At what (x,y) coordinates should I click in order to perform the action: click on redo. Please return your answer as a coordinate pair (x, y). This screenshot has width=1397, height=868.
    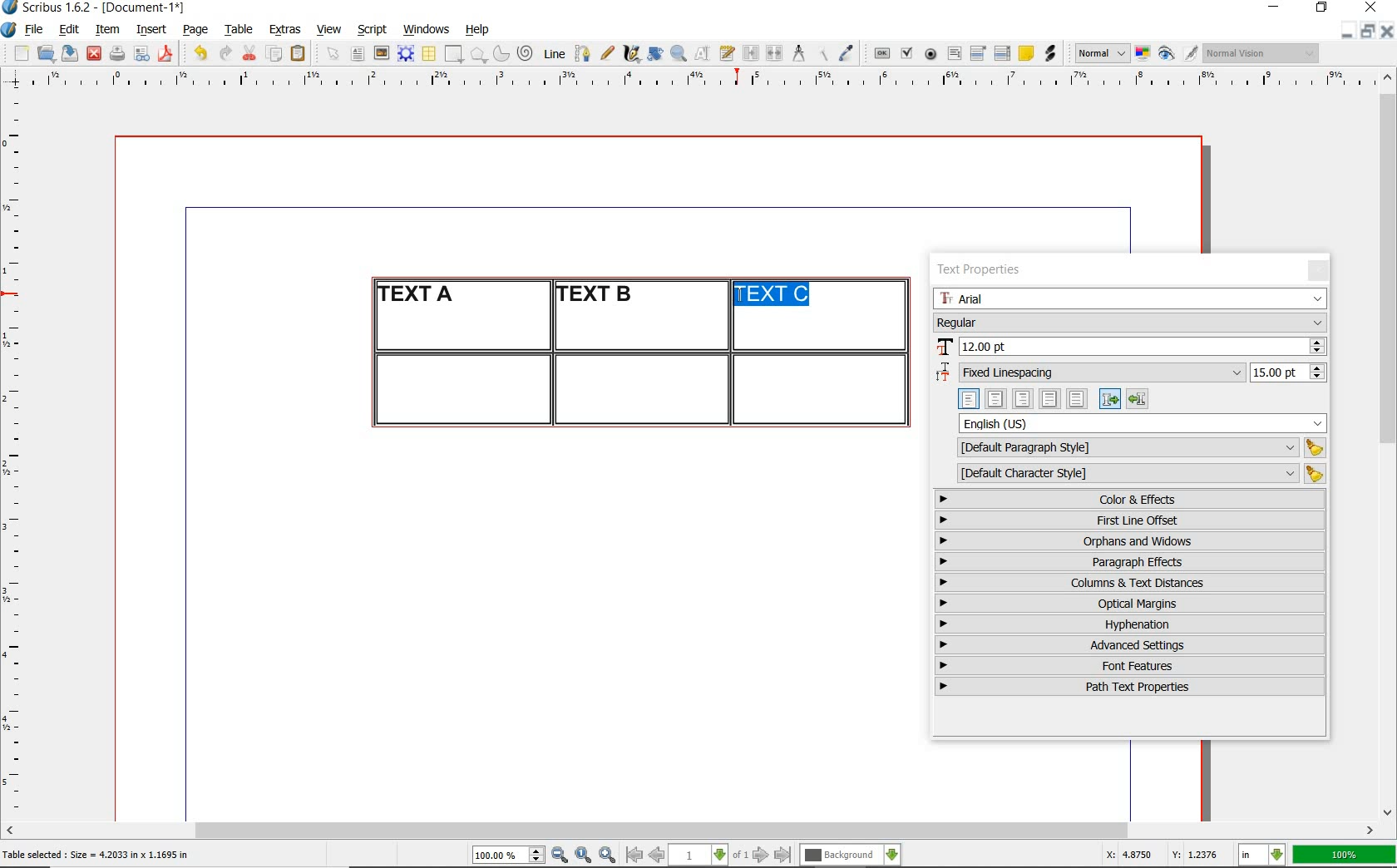
    Looking at the image, I should click on (224, 52).